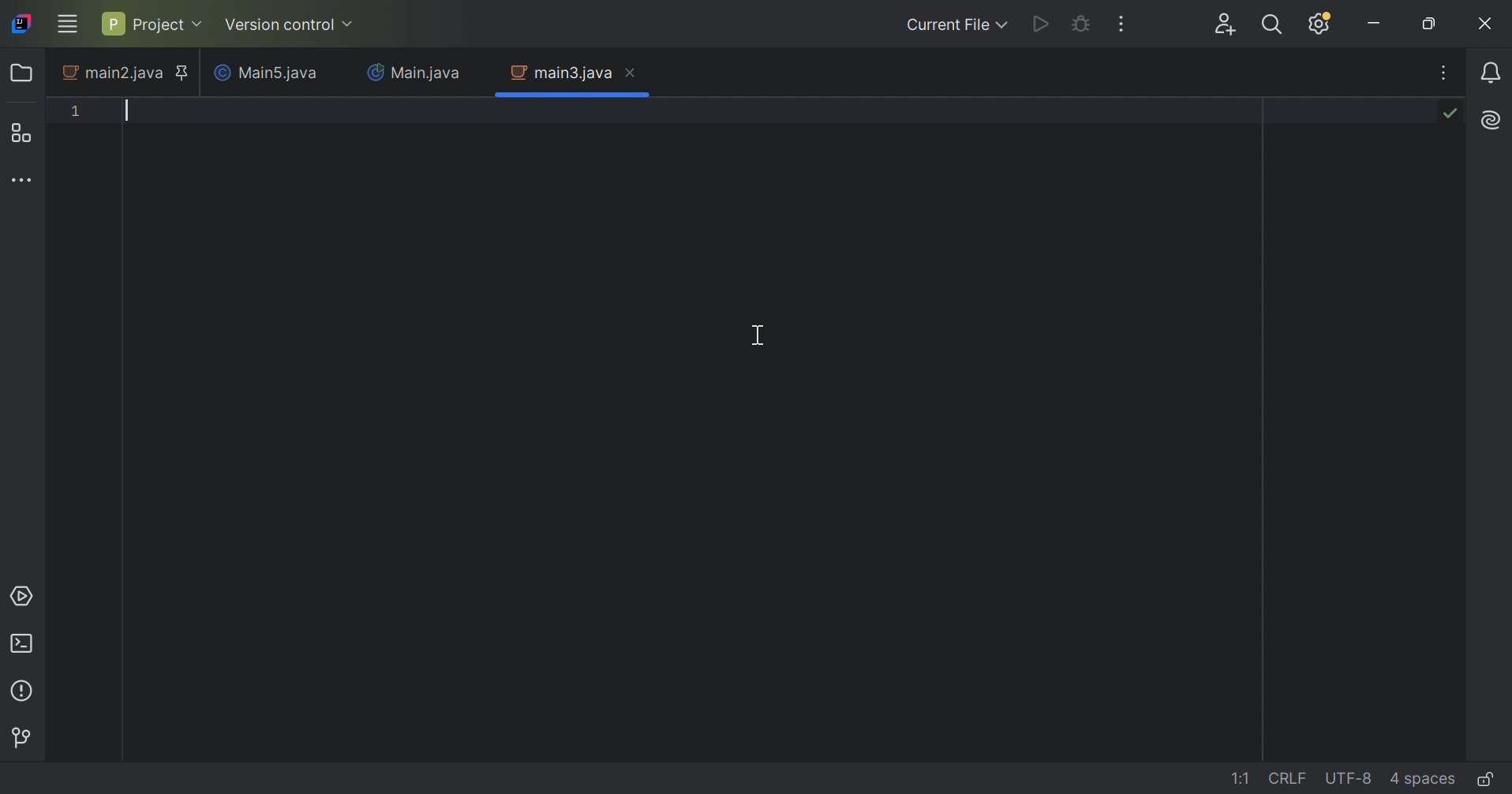 The image size is (1512, 794). What do you see at coordinates (19, 737) in the screenshot?
I see `Version control` at bounding box center [19, 737].